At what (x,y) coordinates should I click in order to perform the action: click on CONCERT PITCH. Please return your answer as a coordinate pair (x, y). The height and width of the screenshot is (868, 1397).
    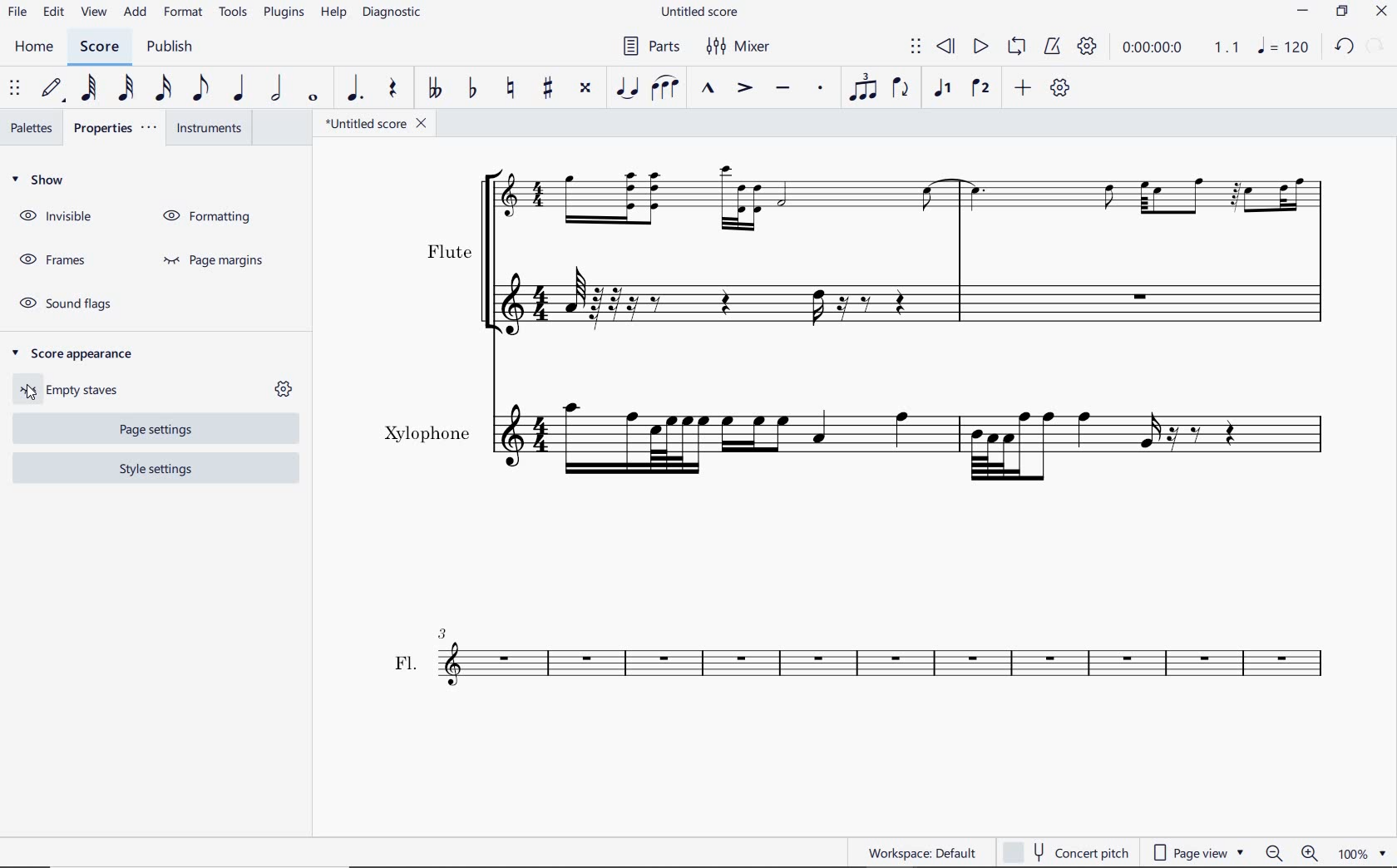
    Looking at the image, I should click on (1073, 854).